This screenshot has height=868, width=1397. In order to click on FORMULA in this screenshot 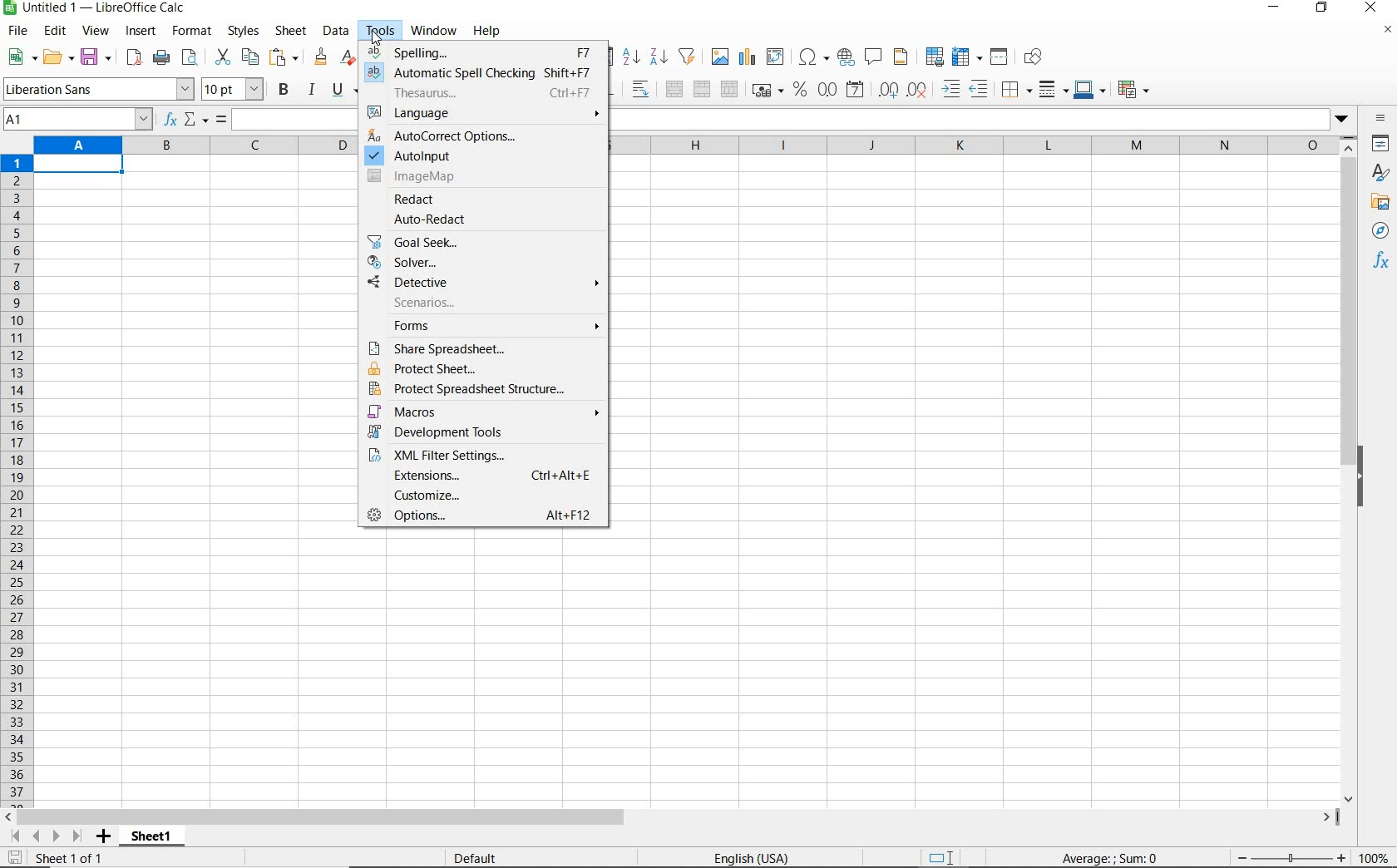, I will do `click(1104, 856)`.